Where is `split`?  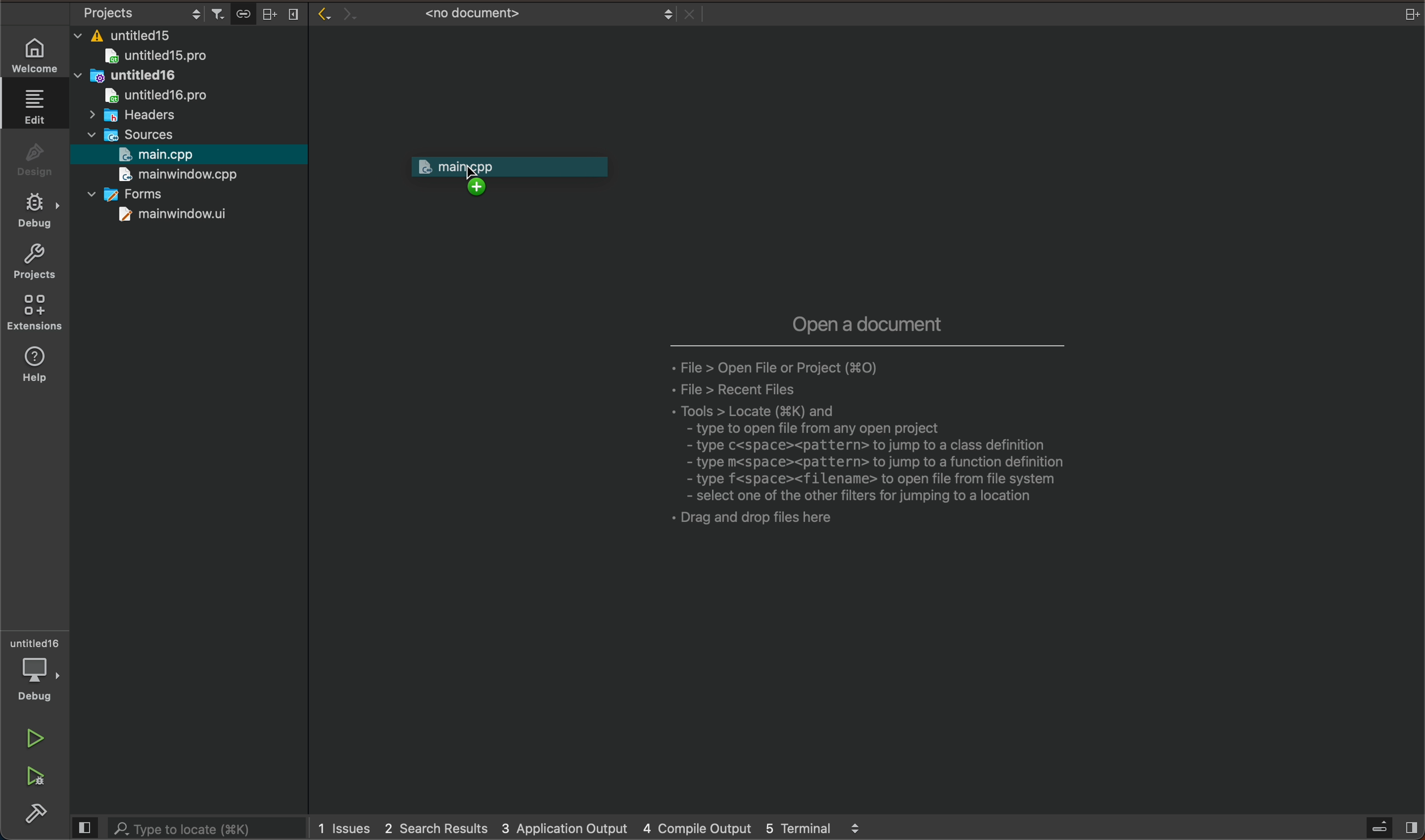 split is located at coordinates (268, 13).